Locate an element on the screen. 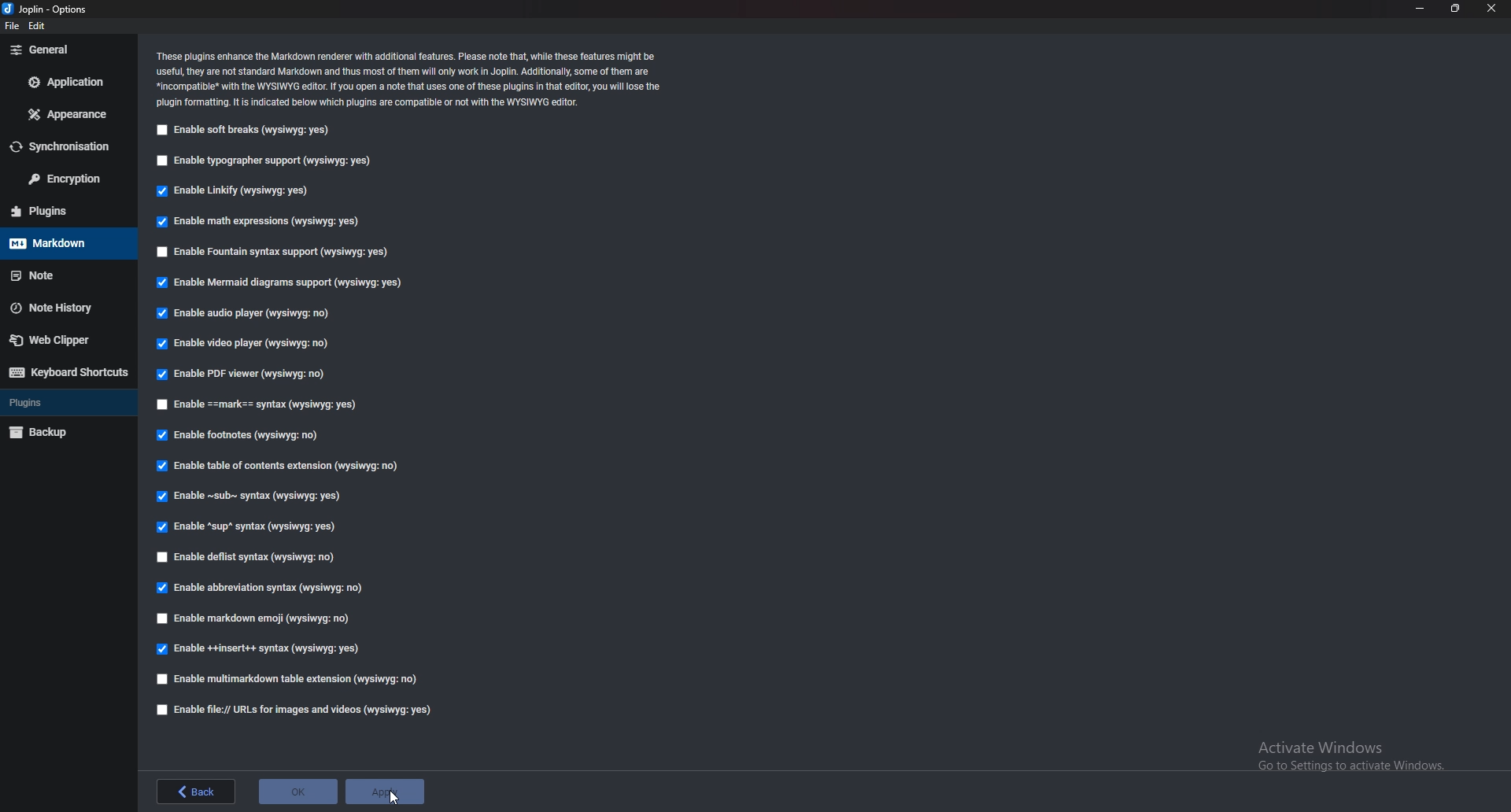 The width and height of the screenshot is (1511, 812). minimize is located at coordinates (1420, 9).